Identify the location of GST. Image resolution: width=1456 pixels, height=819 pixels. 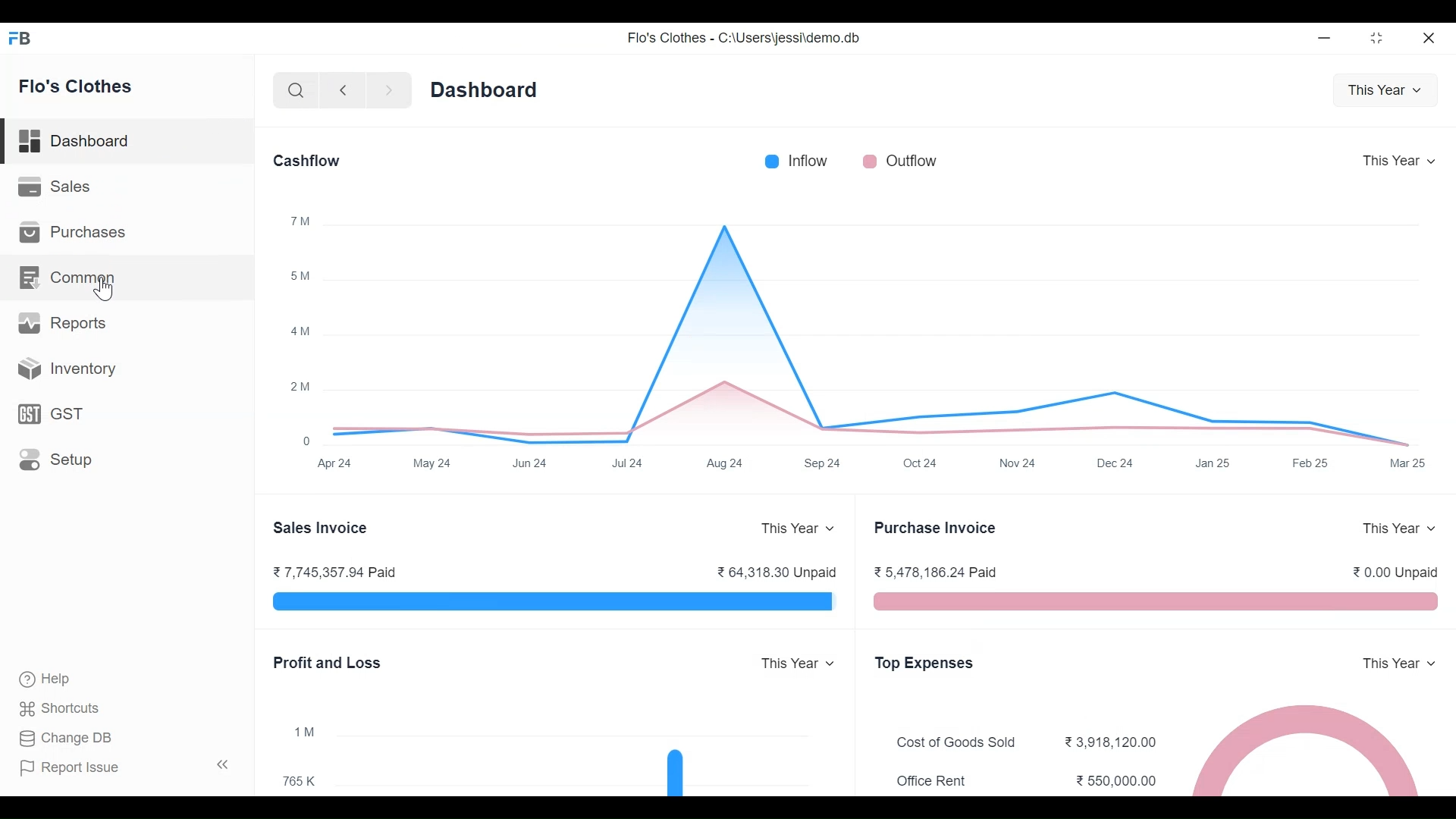
(52, 413).